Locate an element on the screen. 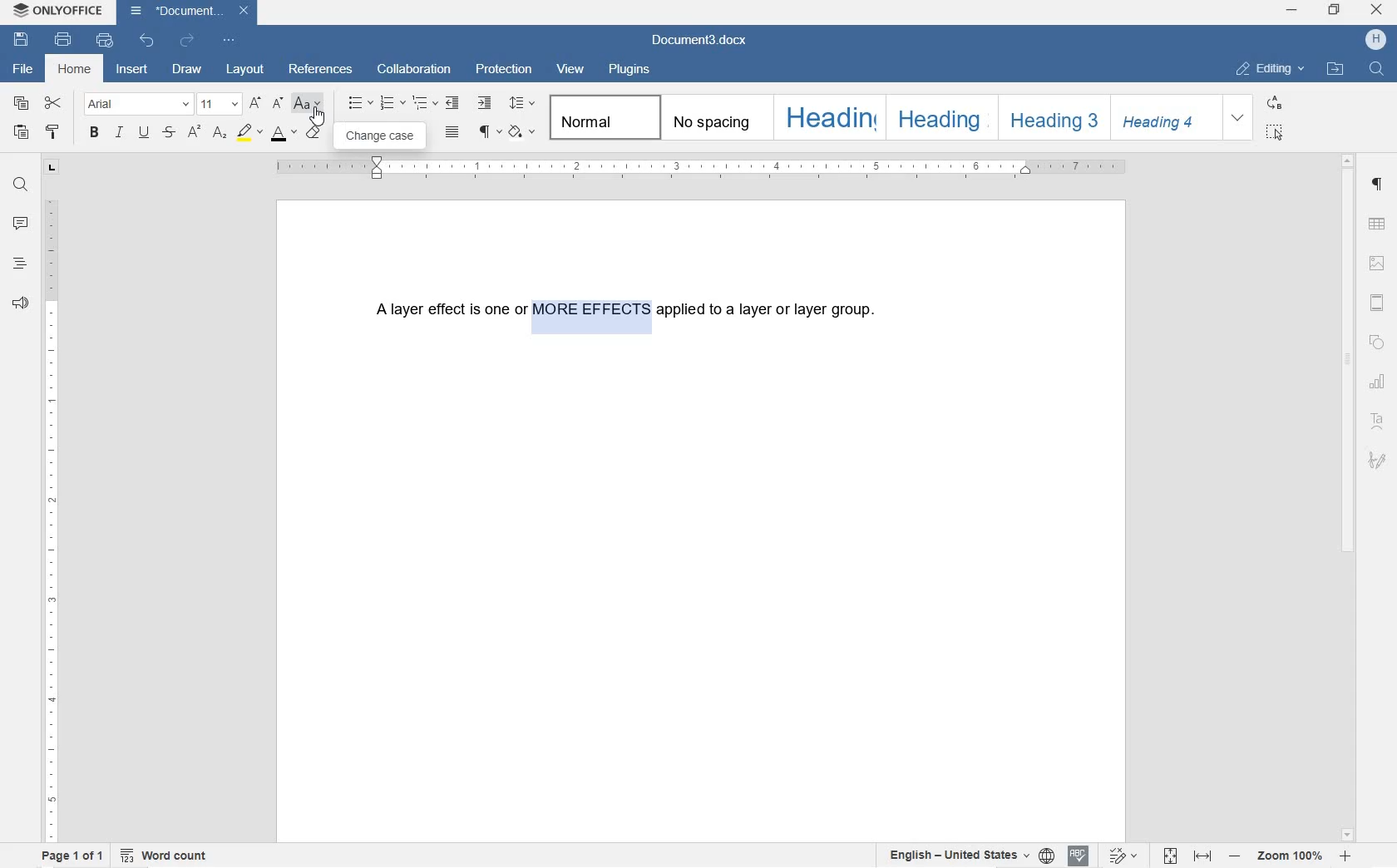  TRACK CHANGES is located at coordinates (1123, 855).